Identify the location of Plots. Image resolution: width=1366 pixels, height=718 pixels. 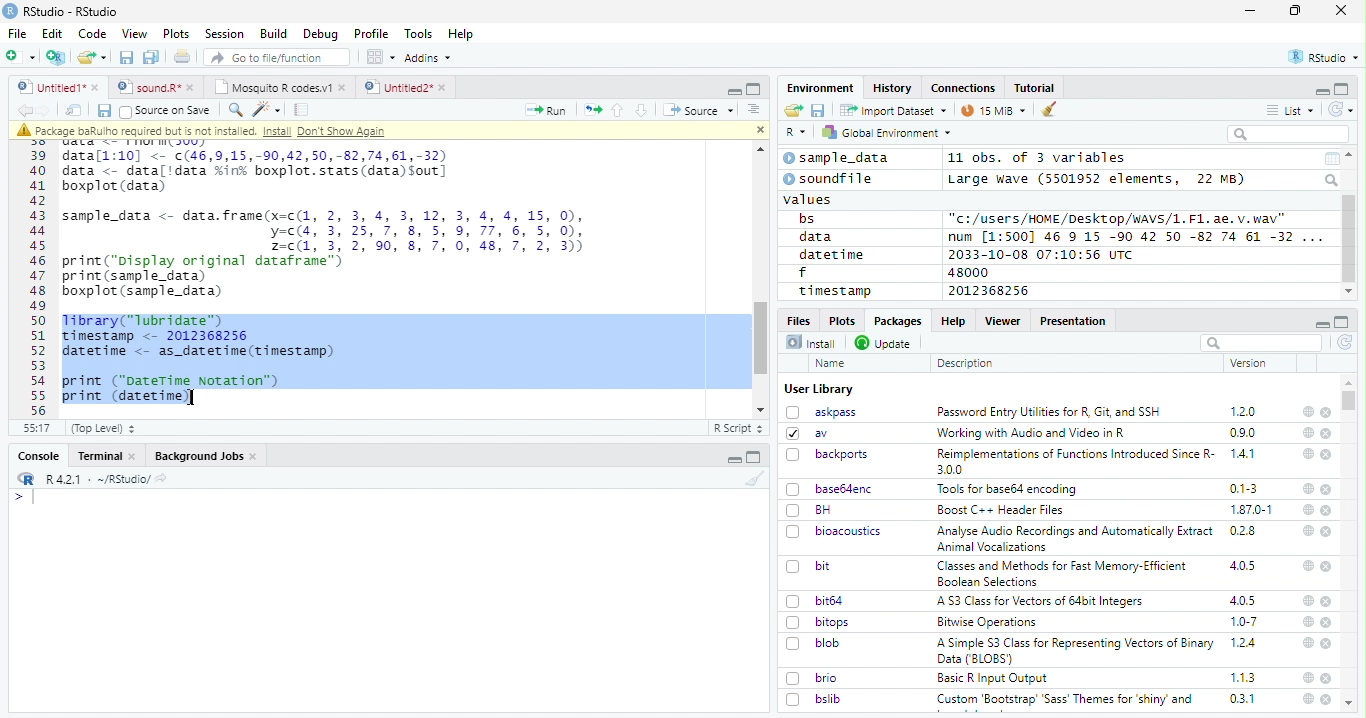
(176, 34).